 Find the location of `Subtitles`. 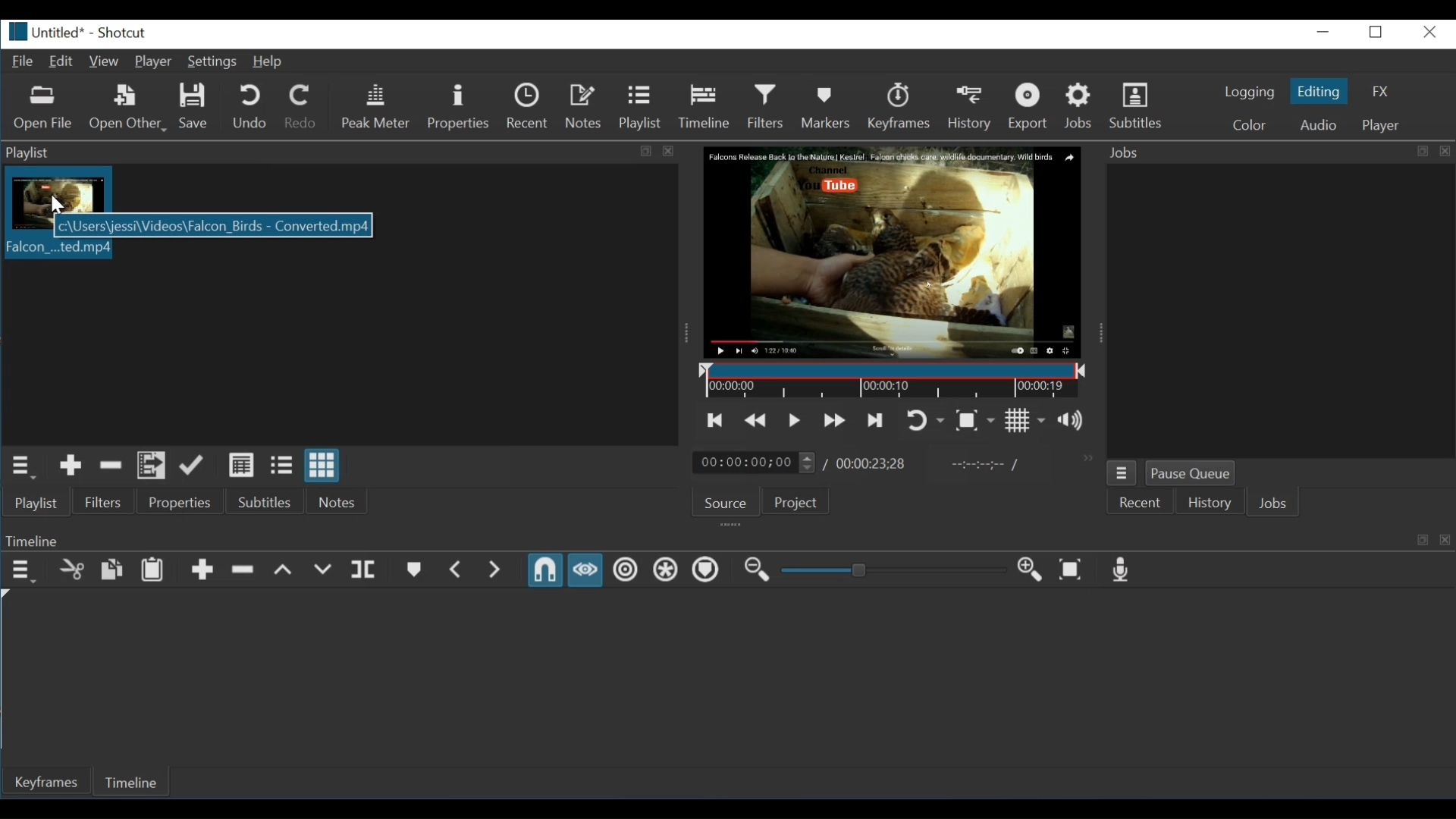

Subtitles is located at coordinates (271, 500).